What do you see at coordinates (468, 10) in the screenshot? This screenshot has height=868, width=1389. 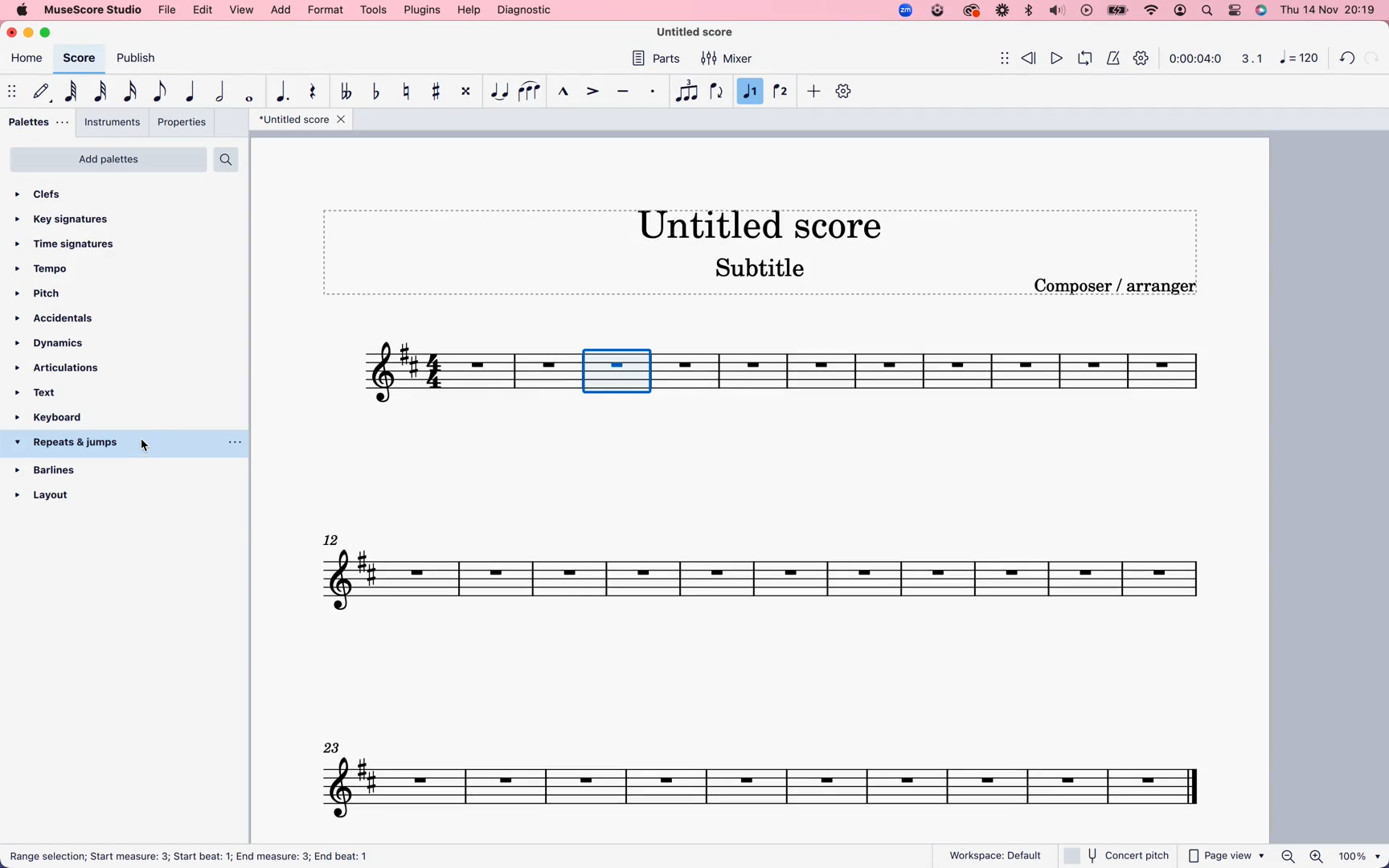 I see `help` at bounding box center [468, 10].